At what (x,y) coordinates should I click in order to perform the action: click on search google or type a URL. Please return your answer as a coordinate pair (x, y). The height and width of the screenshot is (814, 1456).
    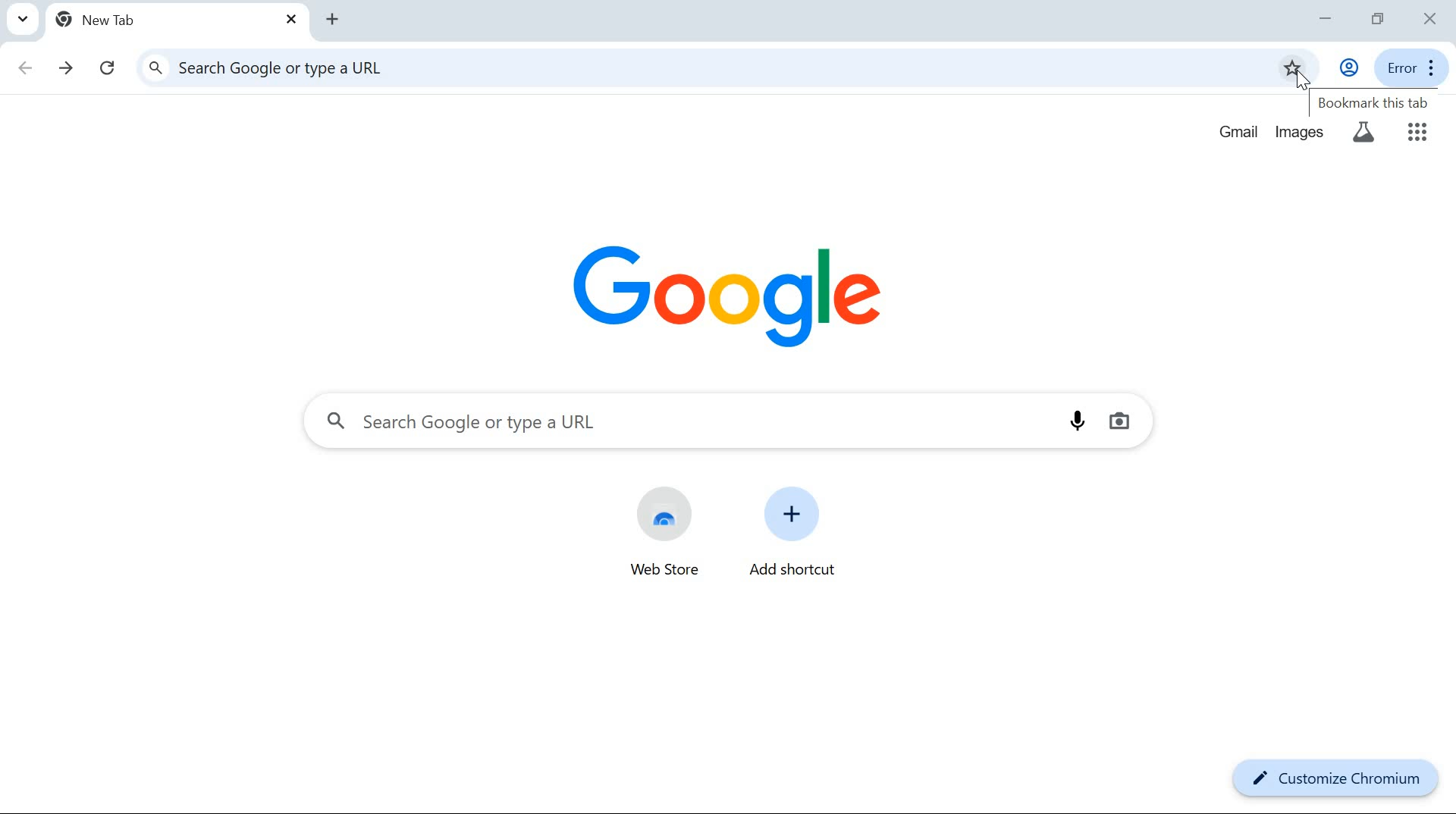
    Looking at the image, I should click on (687, 423).